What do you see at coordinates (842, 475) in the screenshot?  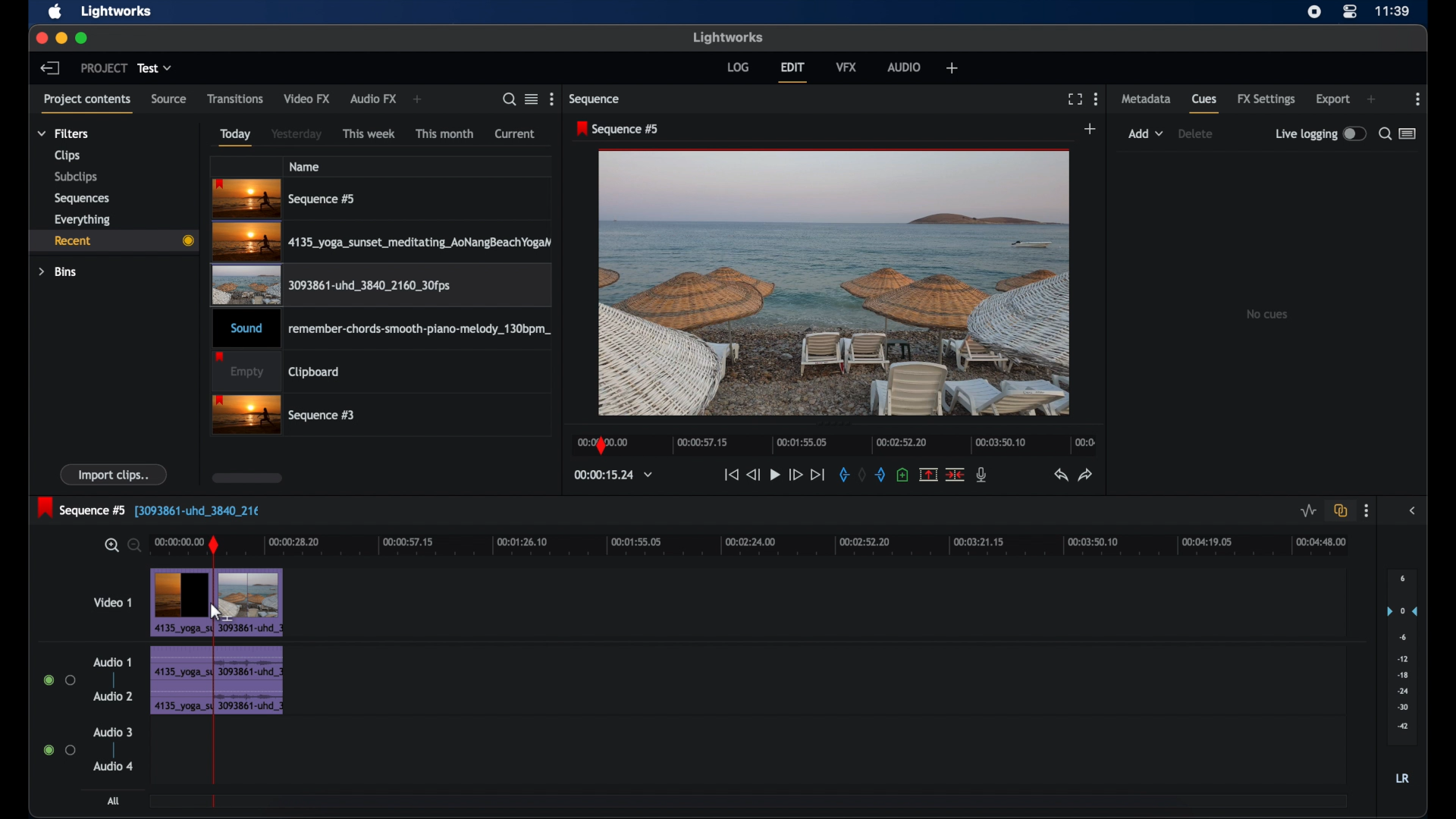 I see `in mark` at bounding box center [842, 475].